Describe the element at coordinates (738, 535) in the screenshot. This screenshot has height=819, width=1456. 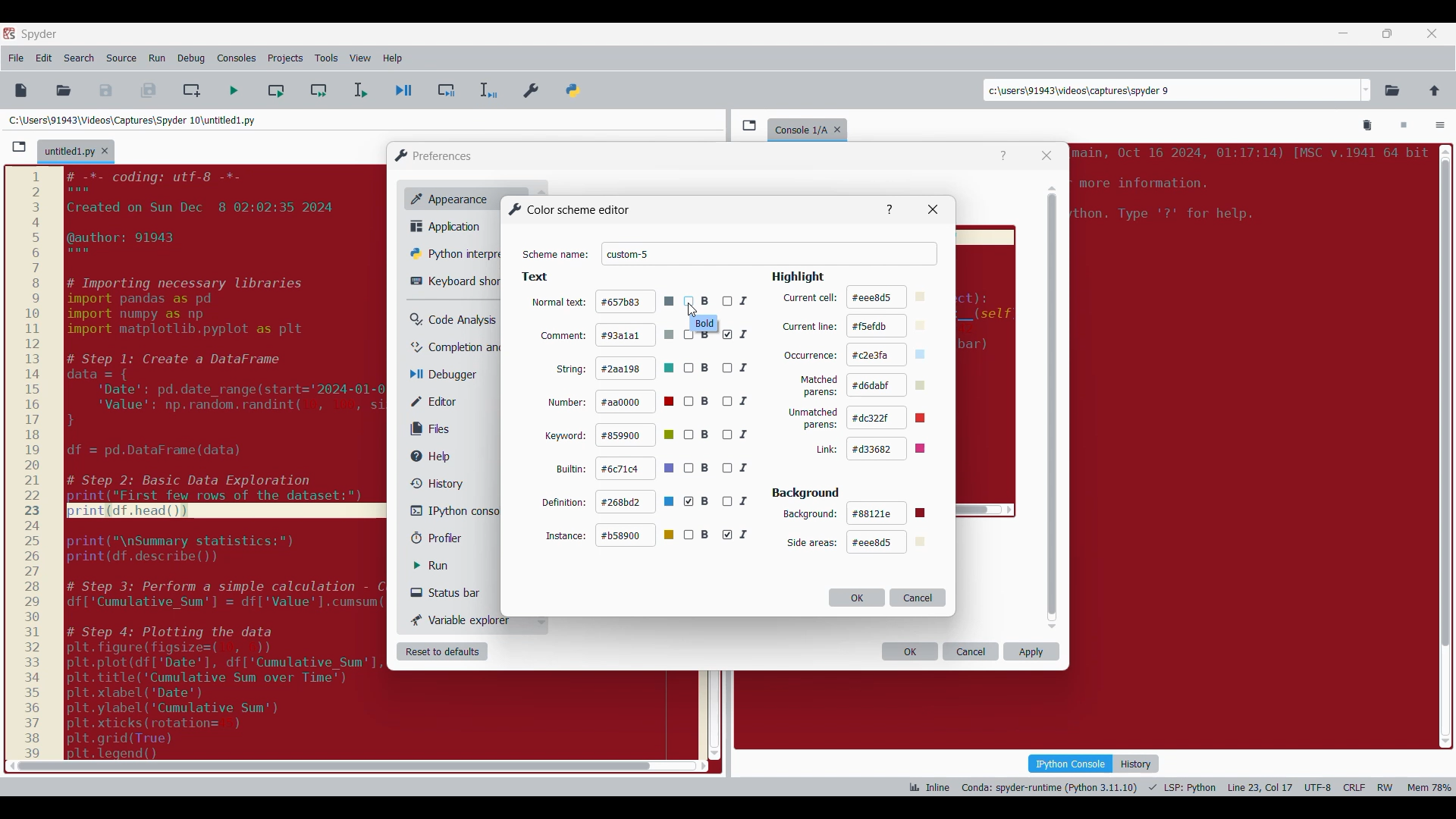
I see `I` at that location.